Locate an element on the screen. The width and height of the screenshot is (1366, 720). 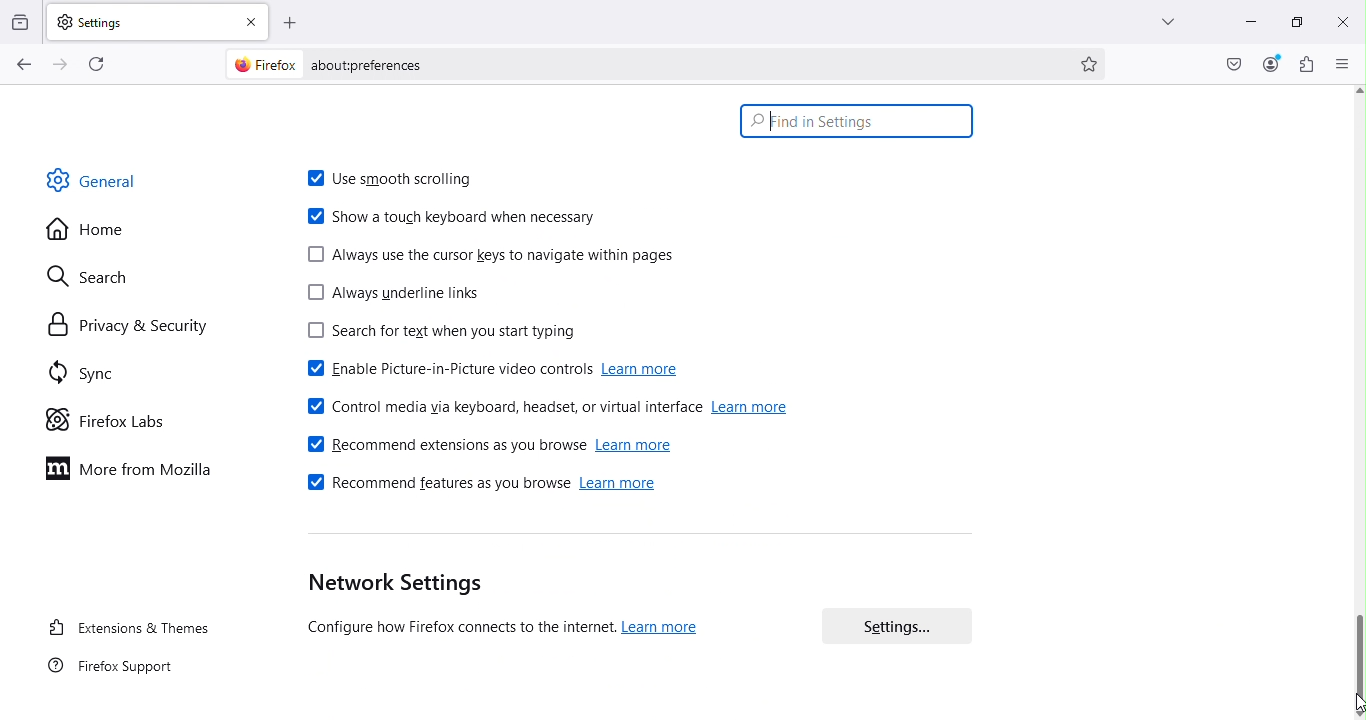
close is located at coordinates (252, 19).